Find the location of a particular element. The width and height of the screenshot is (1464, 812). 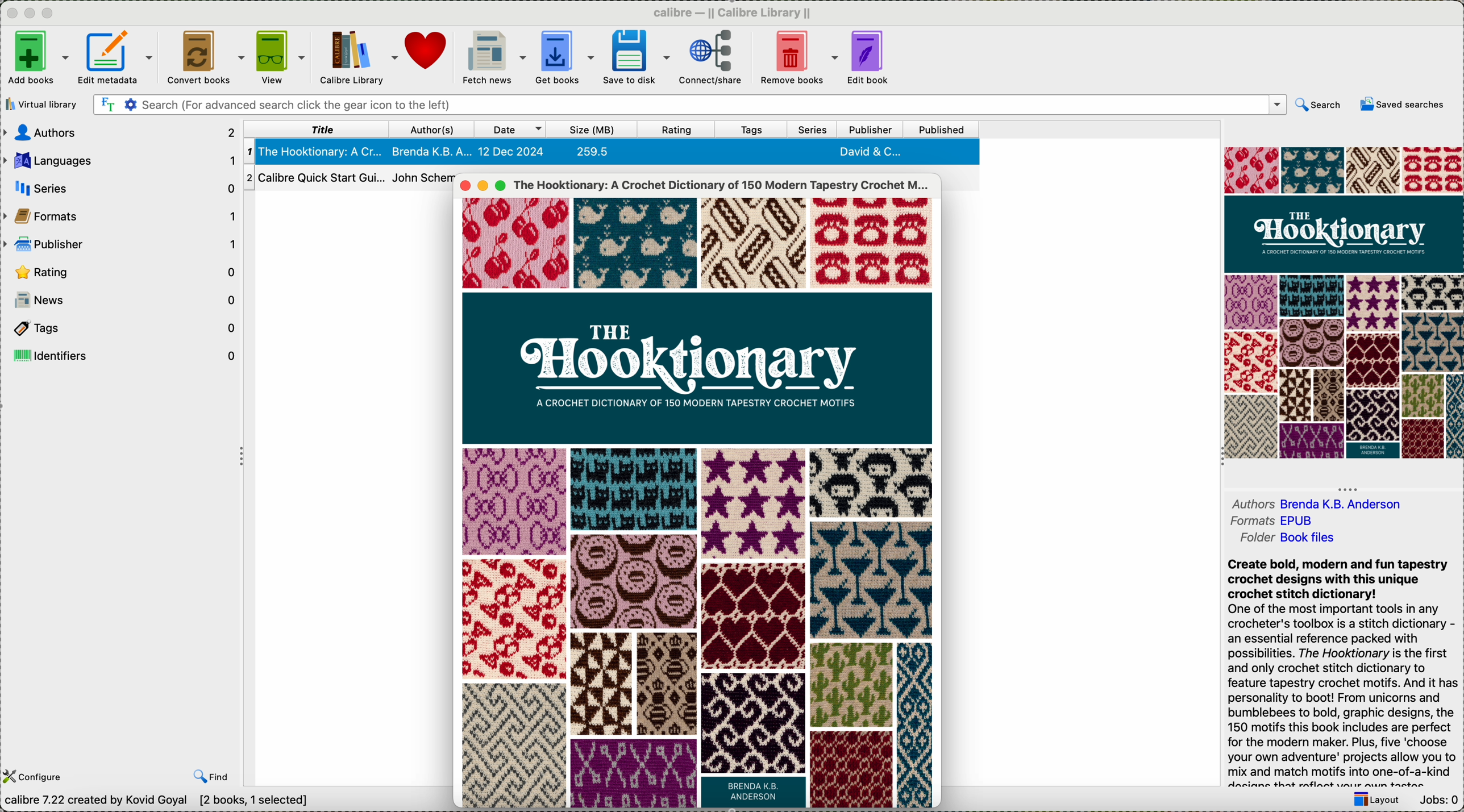

title is located at coordinates (315, 128).